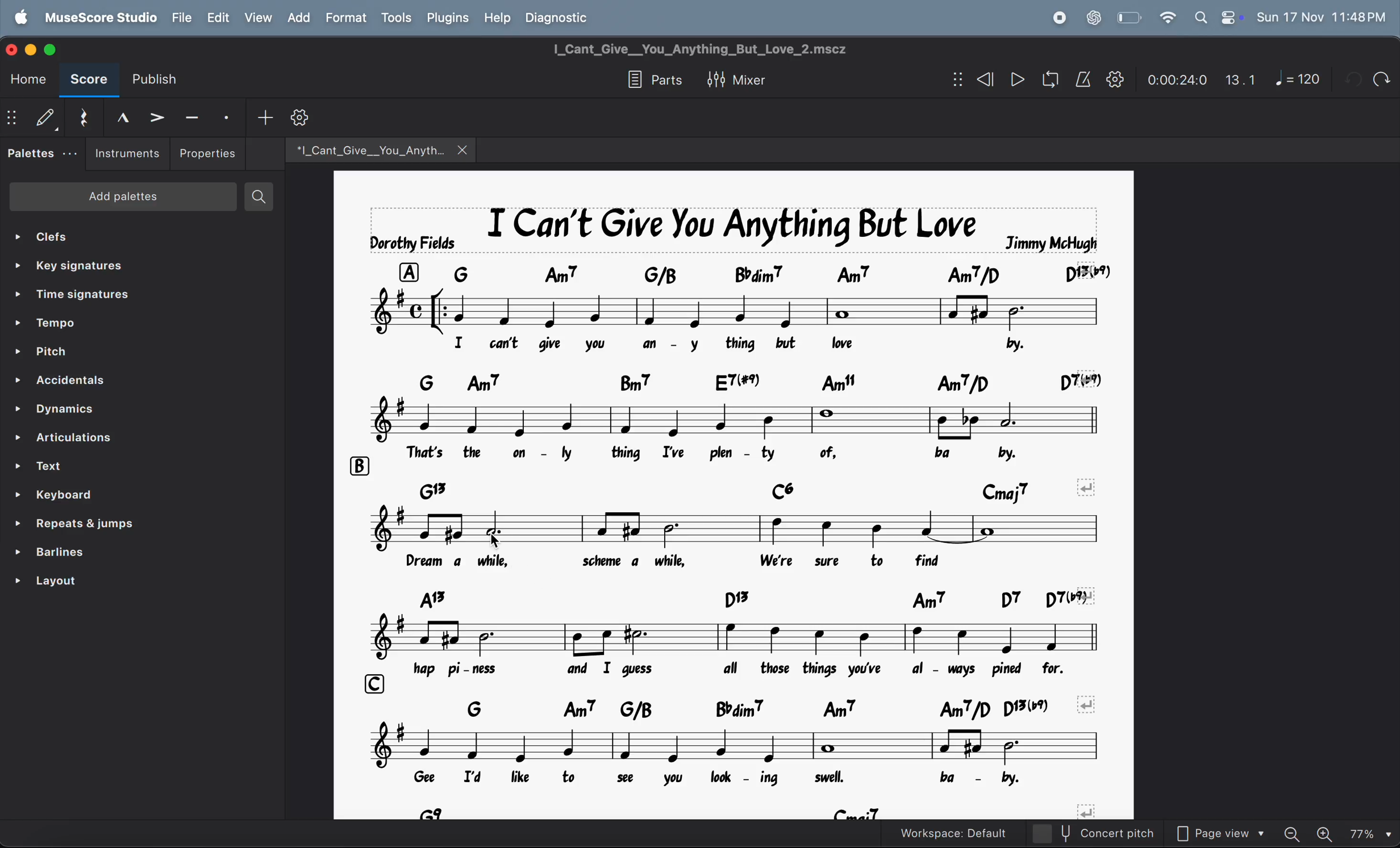 This screenshot has width=1400, height=848. I want to click on lyrics, so click(738, 671).